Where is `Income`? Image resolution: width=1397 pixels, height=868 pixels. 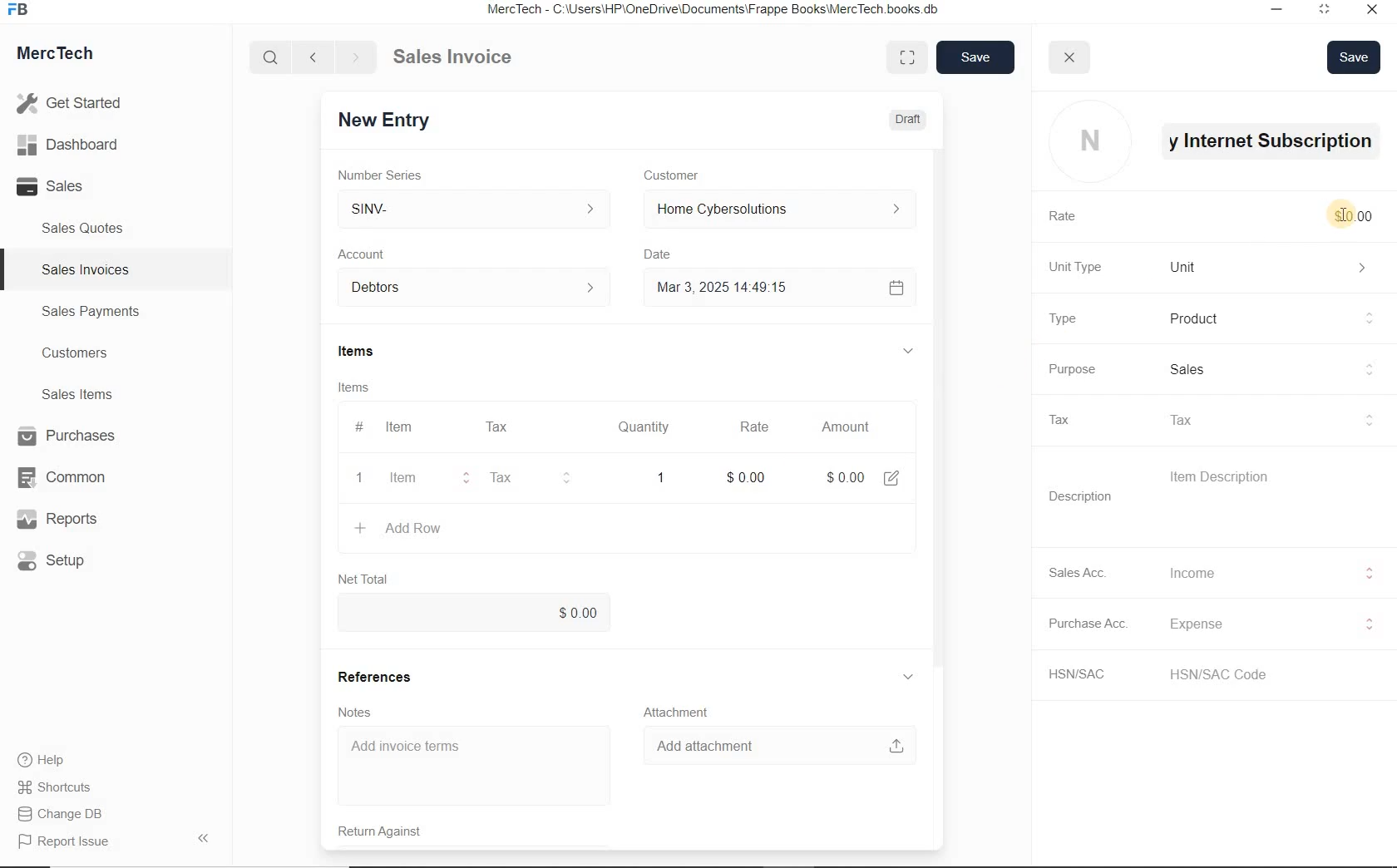 Income is located at coordinates (1267, 572).